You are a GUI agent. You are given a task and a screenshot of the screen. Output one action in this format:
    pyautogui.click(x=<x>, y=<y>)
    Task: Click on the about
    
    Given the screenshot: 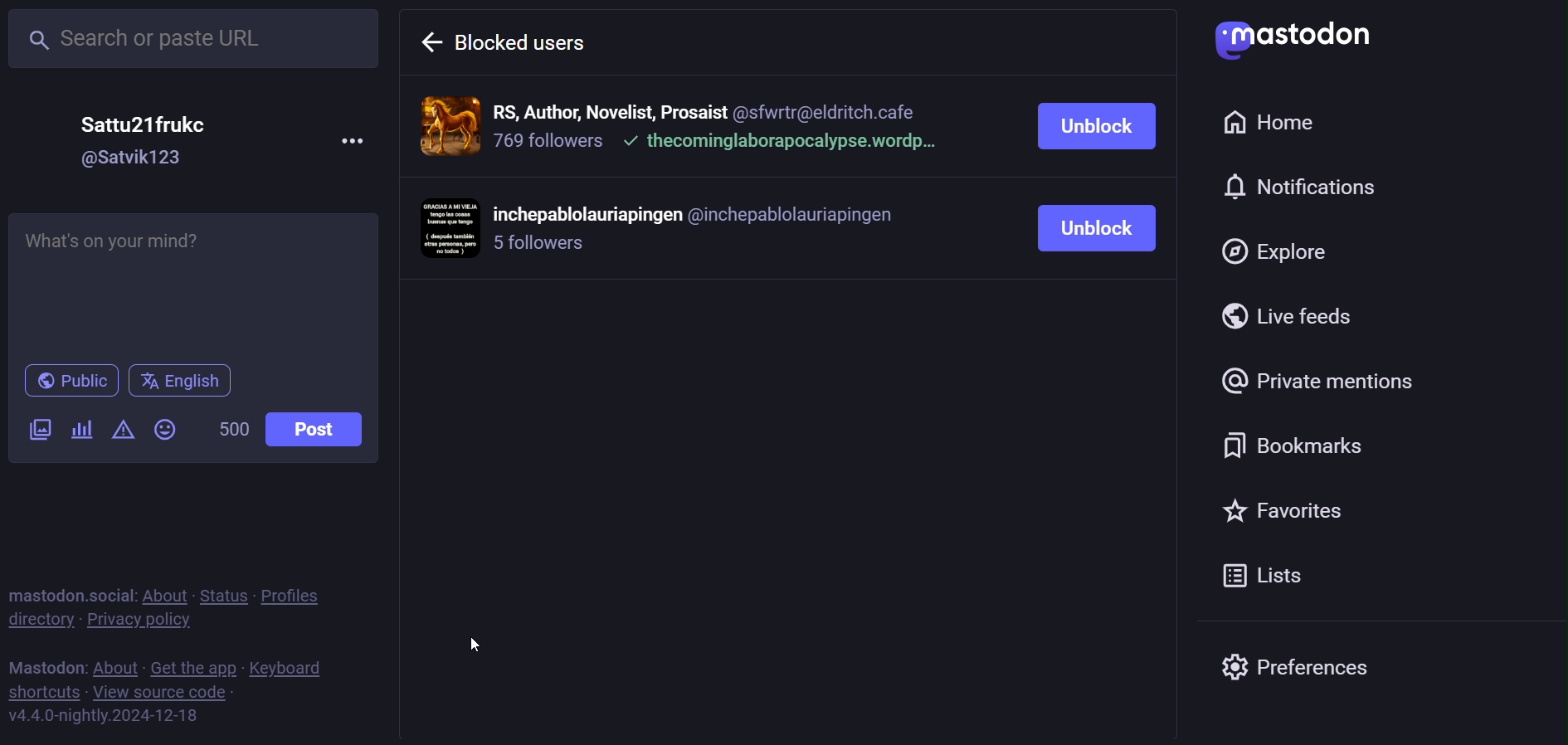 What is the action you would take?
    pyautogui.click(x=168, y=589)
    